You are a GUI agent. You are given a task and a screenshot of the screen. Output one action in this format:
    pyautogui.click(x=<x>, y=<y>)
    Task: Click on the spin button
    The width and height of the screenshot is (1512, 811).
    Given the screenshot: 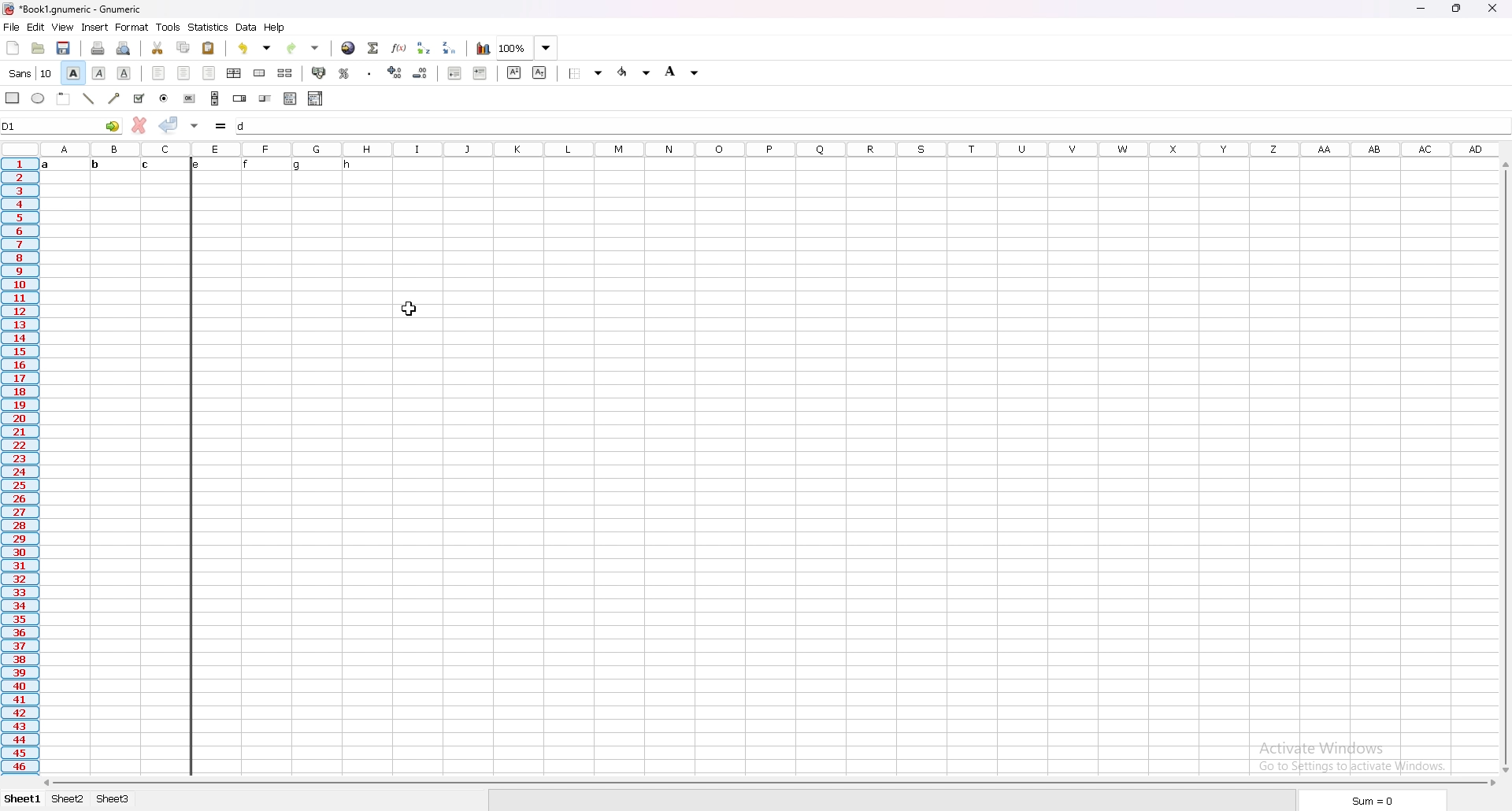 What is the action you would take?
    pyautogui.click(x=241, y=98)
    